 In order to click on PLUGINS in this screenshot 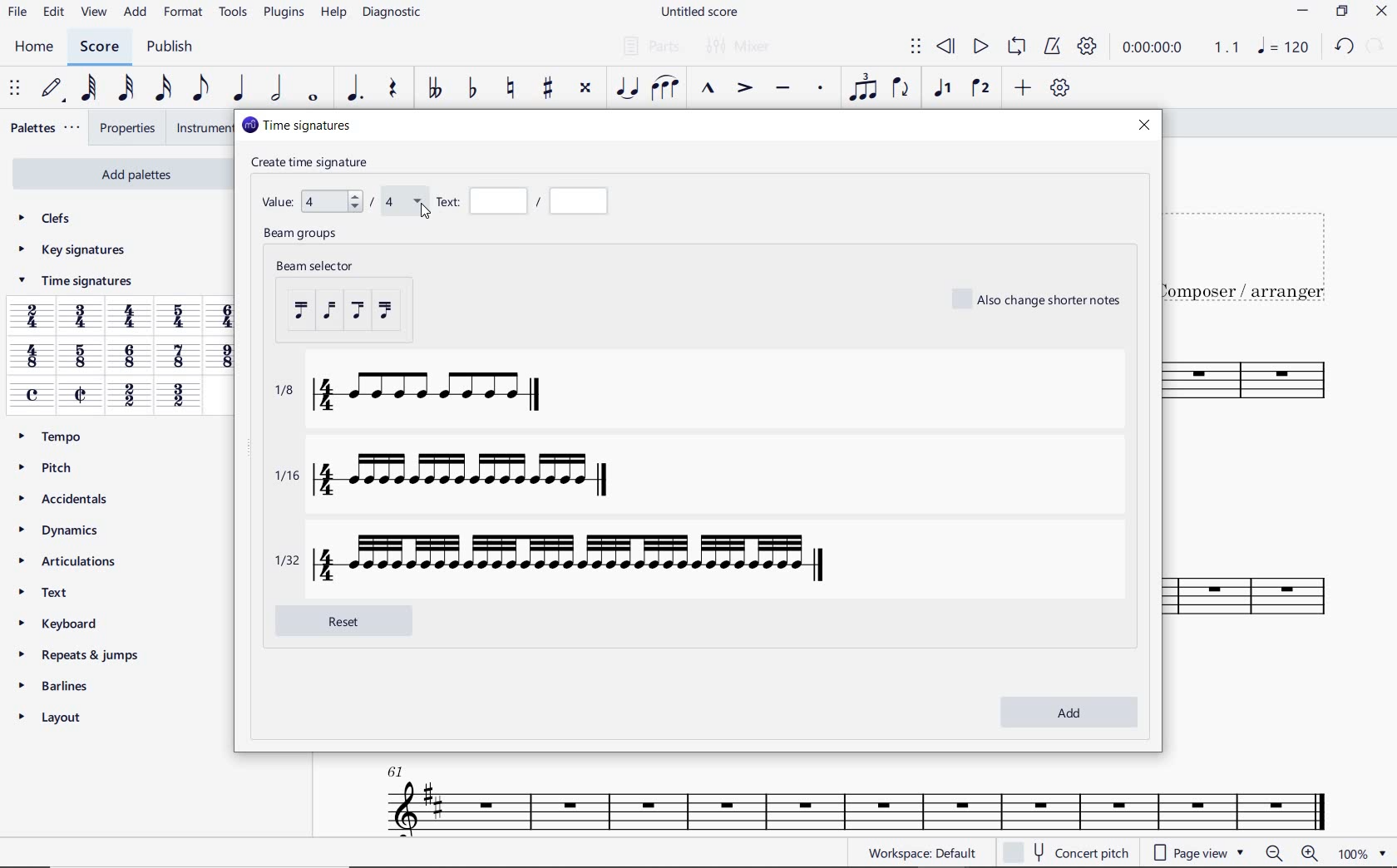, I will do `click(281, 14)`.